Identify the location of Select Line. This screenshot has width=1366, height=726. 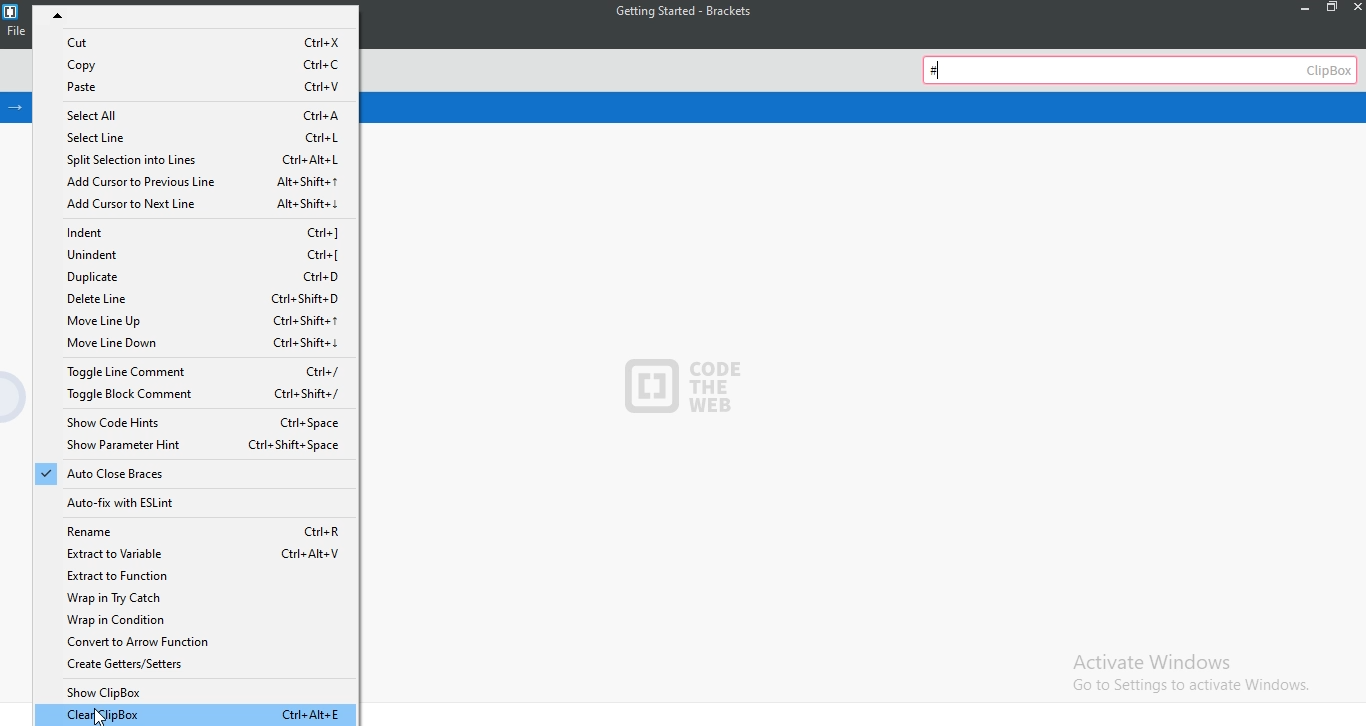
(198, 137).